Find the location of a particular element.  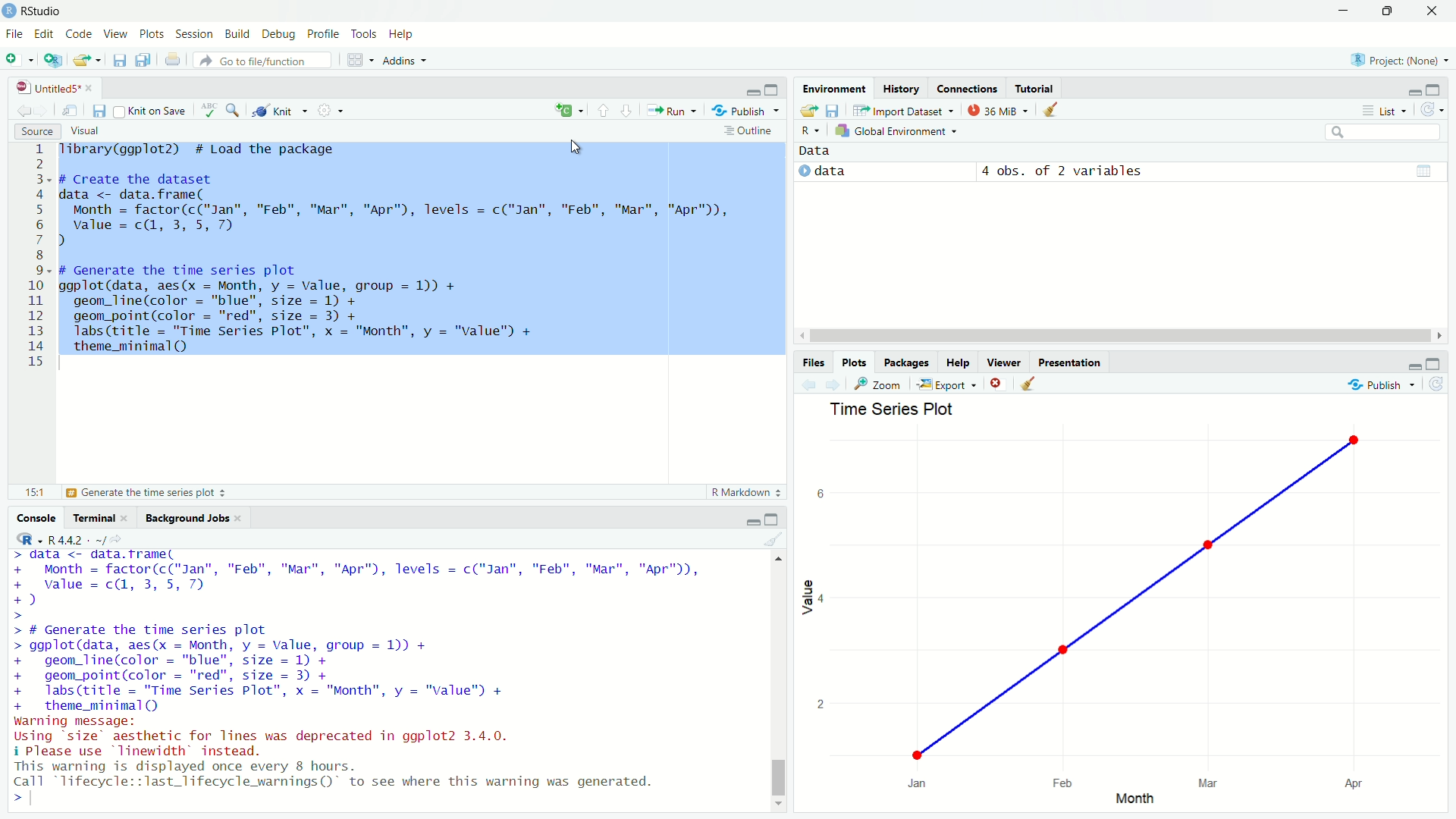

logo is located at coordinates (9, 11).